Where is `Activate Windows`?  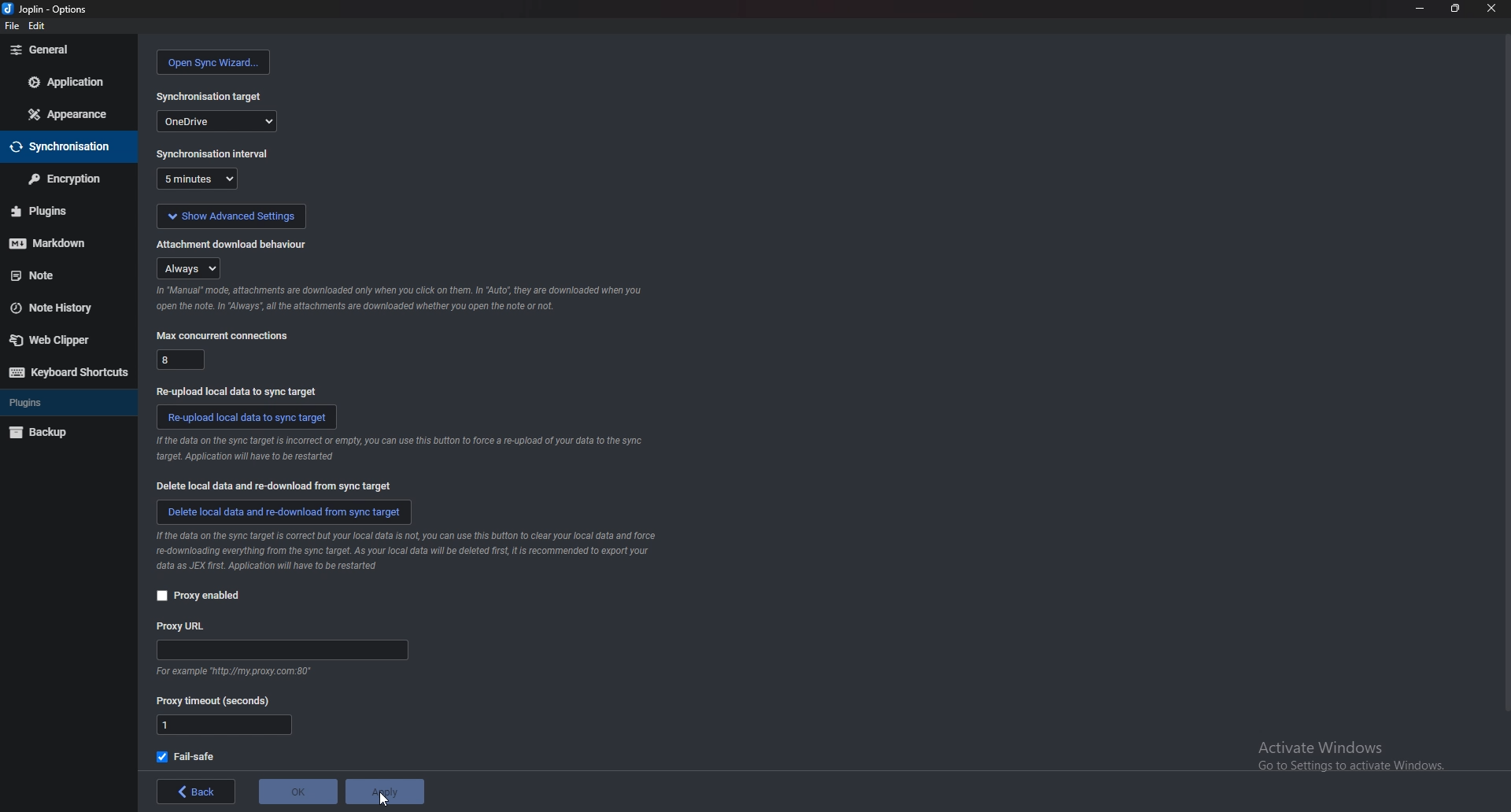
Activate Windows is located at coordinates (1346, 753).